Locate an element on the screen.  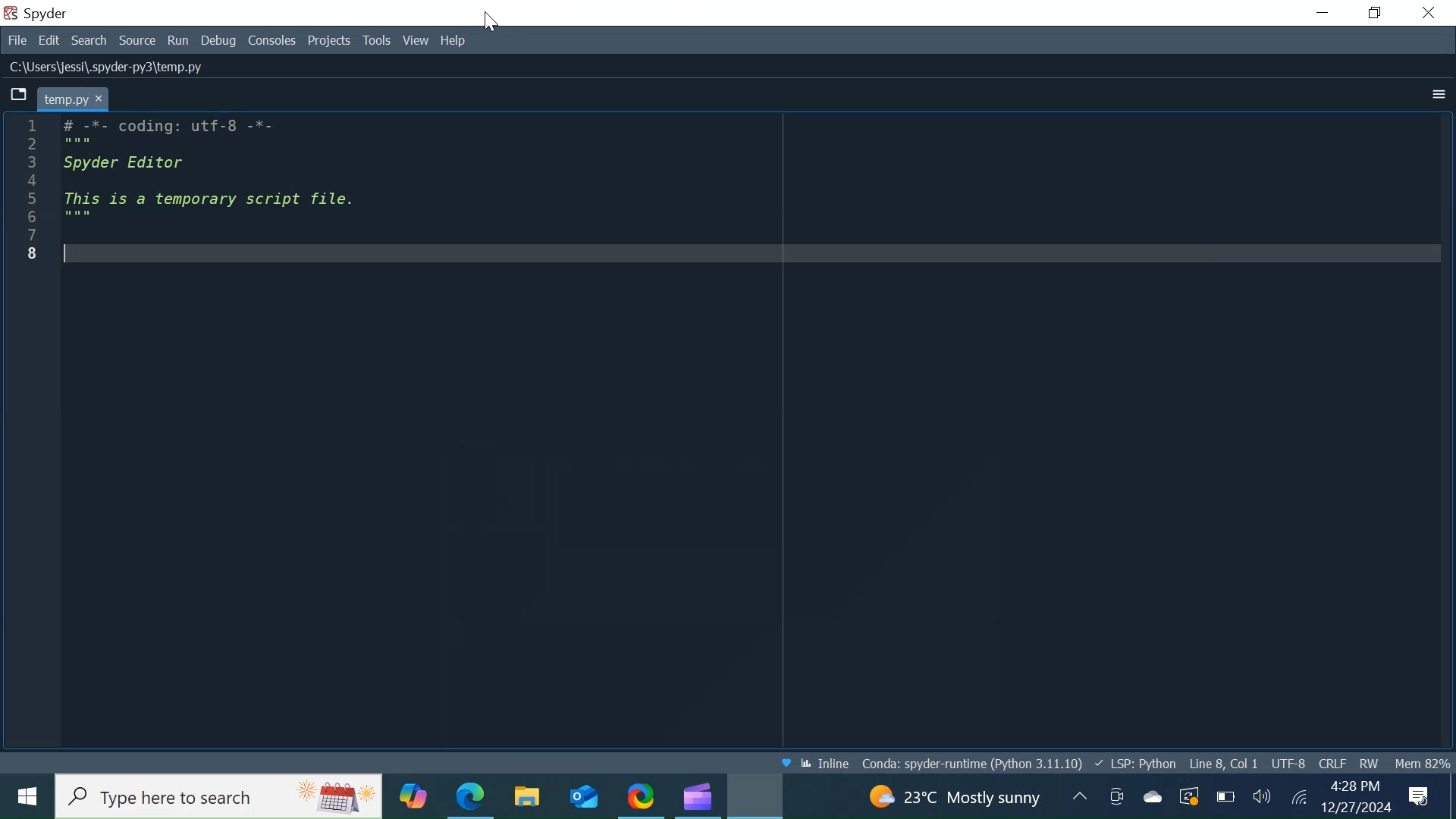
Cursor Position is located at coordinates (1222, 764).